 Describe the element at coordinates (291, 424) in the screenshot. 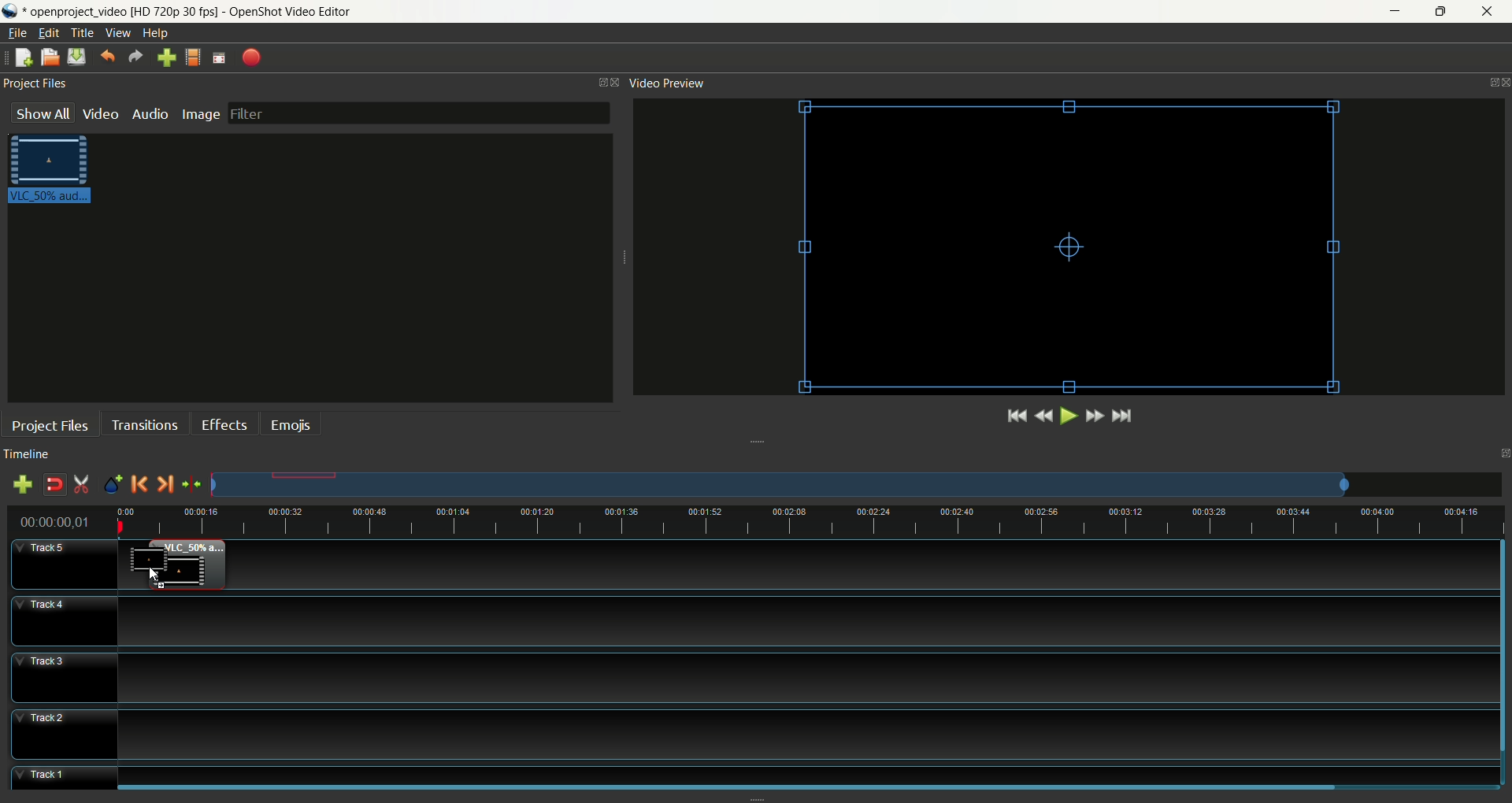

I see `emojis` at that location.